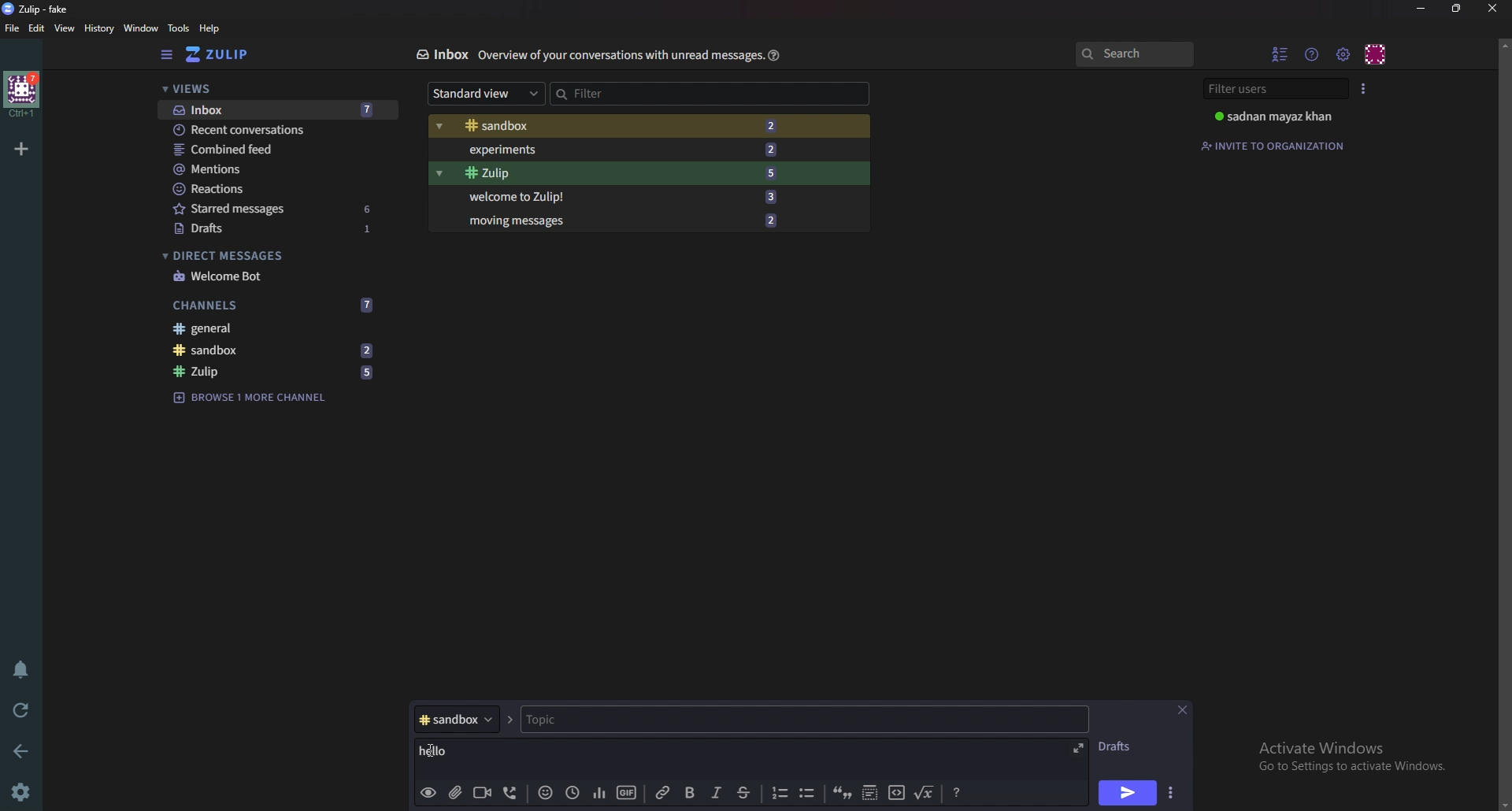 This screenshot has width=1512, height=811. Describe the element at coordinates (1275, 118) in the screenshot. I see `sadnan mayaz khan` at that location.